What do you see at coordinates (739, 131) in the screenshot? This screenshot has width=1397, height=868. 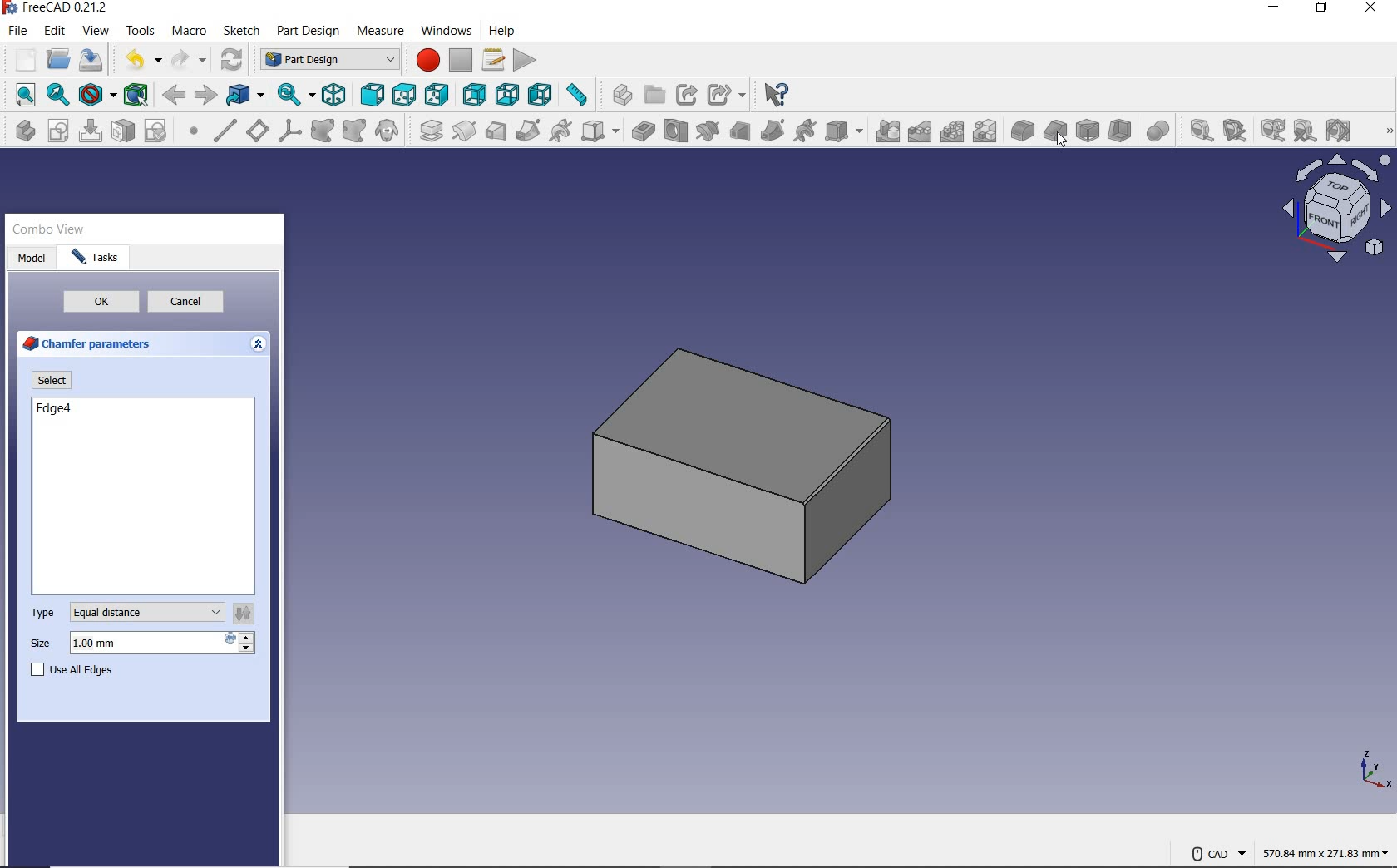 I see `subtractive loft` at bounding box center [739, 131].